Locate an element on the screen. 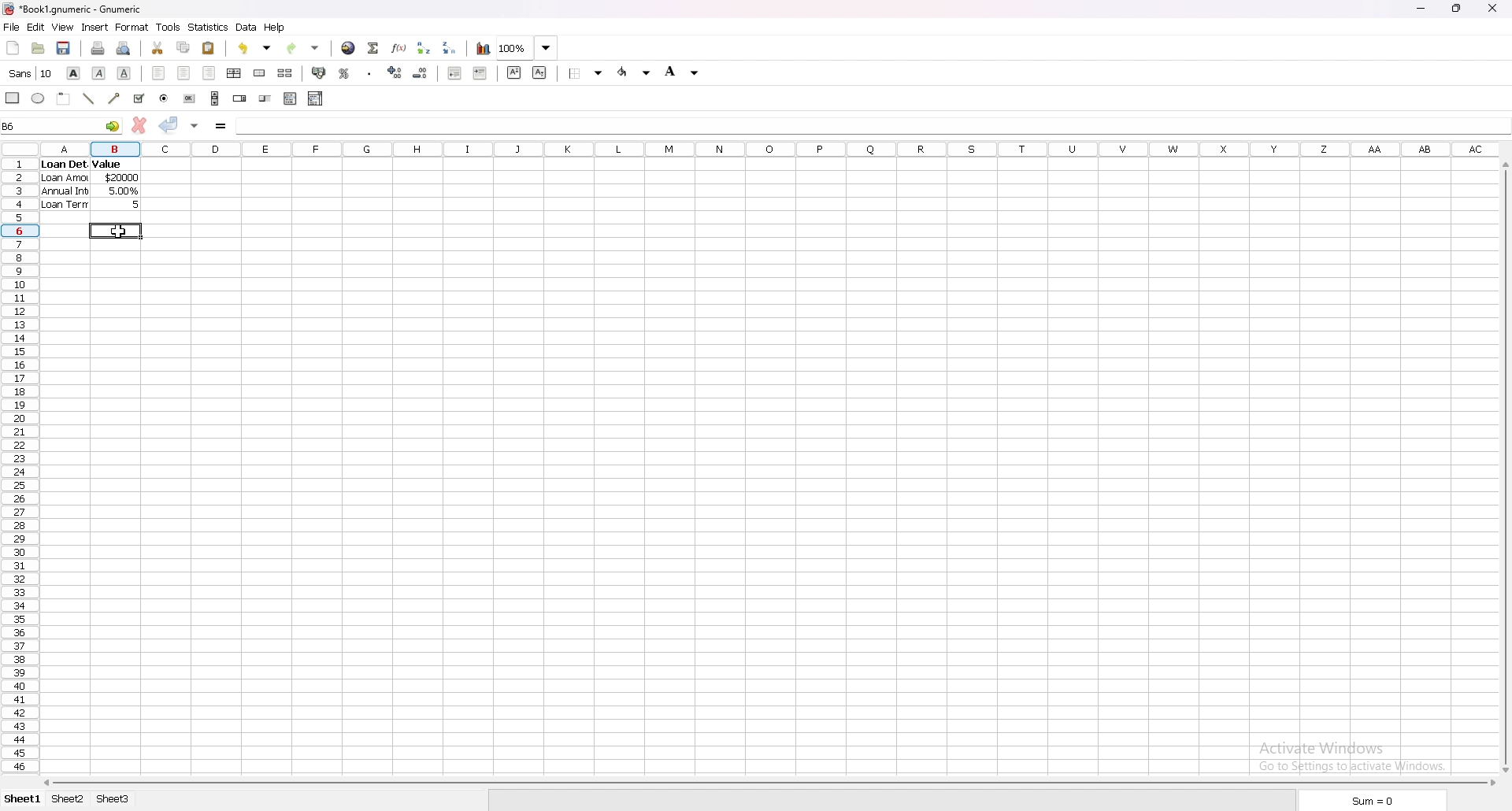 The width and height of the screenshot is (1512, 811). border is located at coordinates (586, 72).